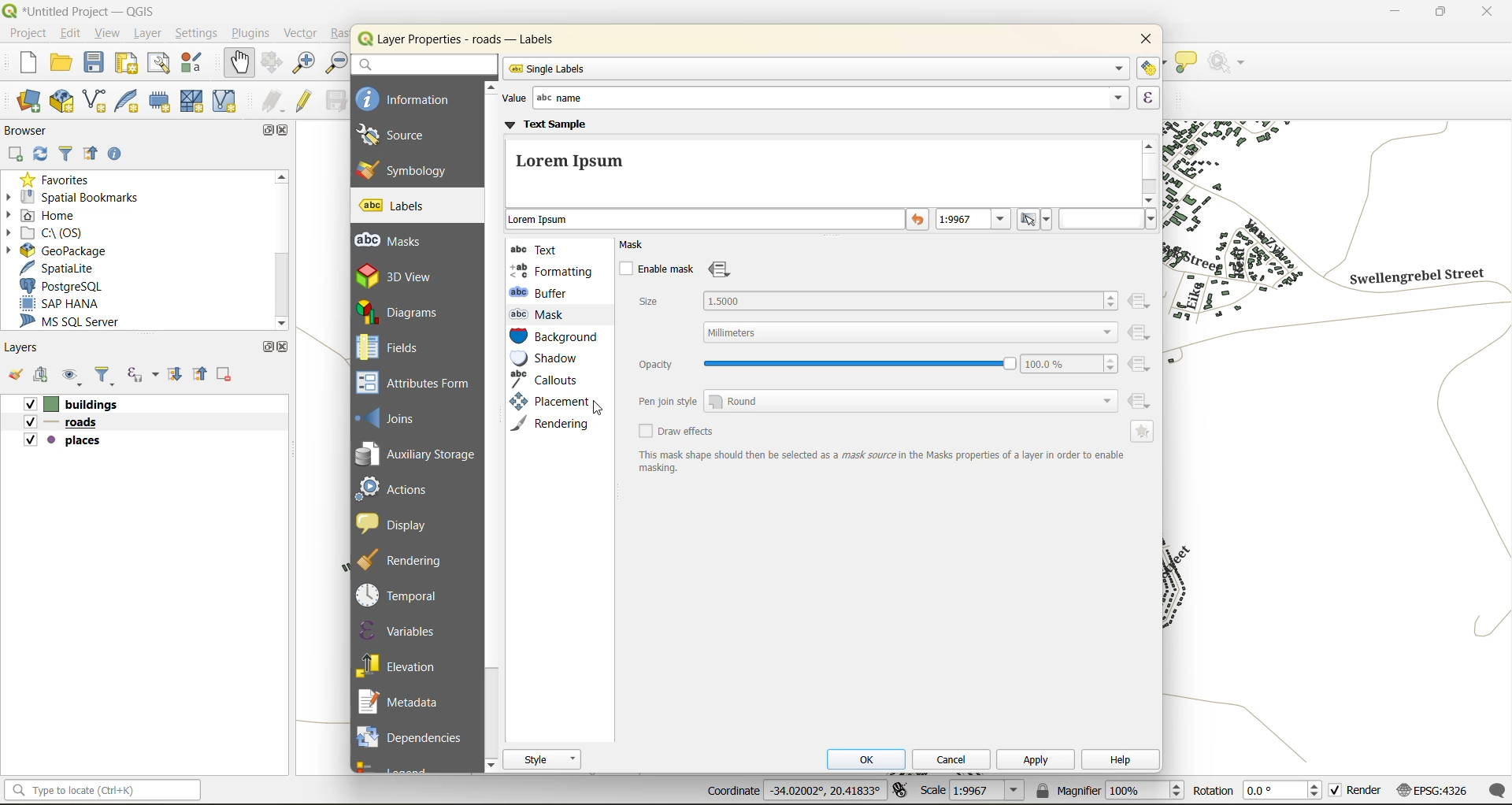 The height and width of the screenshot is (805, 1512). I want to click on log messages, so click(1493, 791).